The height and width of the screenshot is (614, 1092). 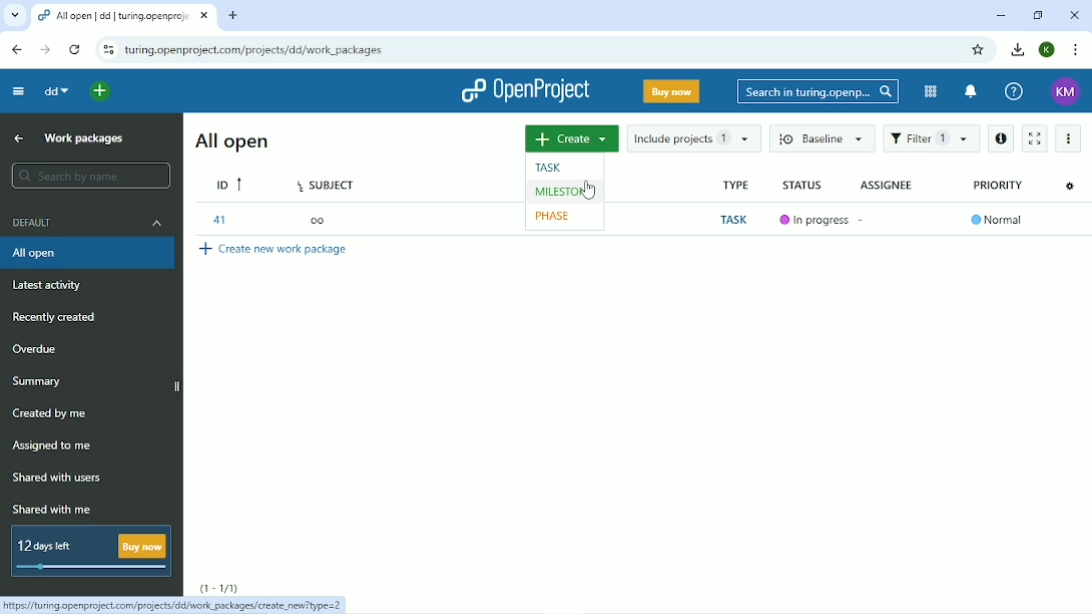 What do you see at coordinates (57, 479) in the screenshot?
I see `Shared with users` at bounding box center [57, 479].